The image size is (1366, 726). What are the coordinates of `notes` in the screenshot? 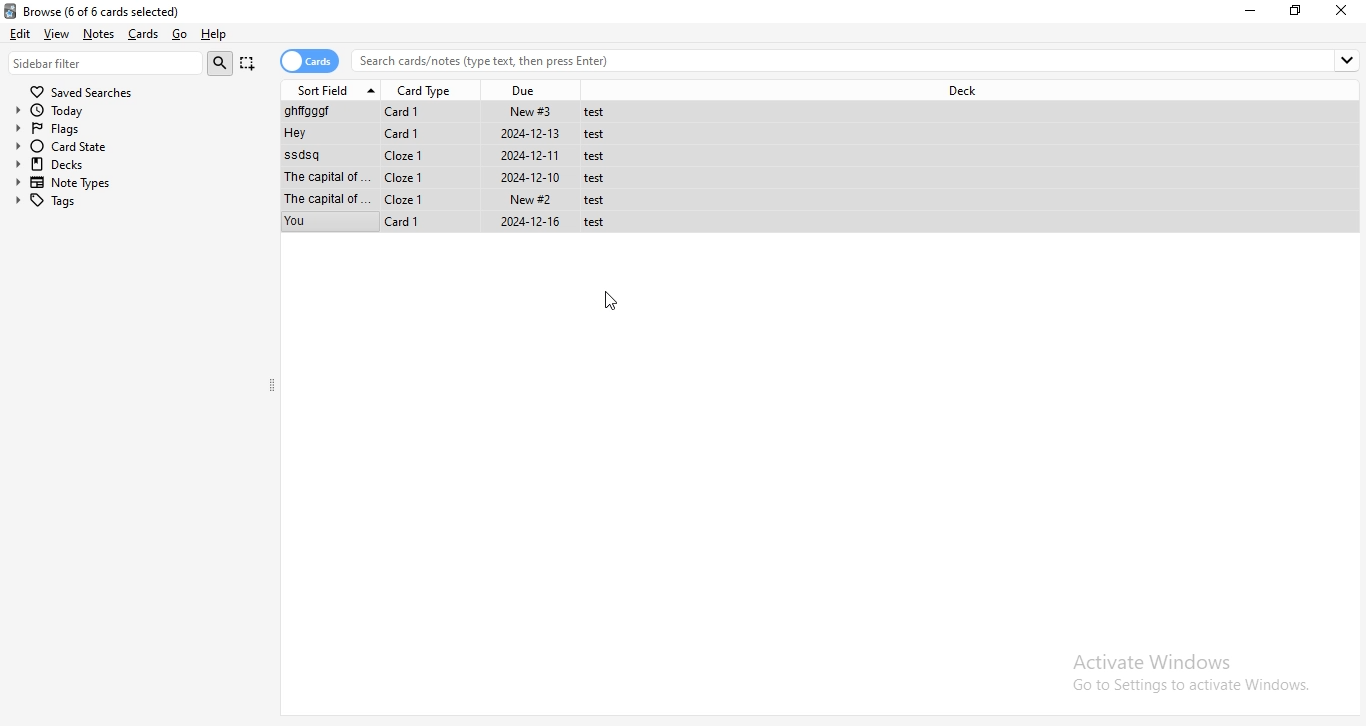 It's located at (102, 33).